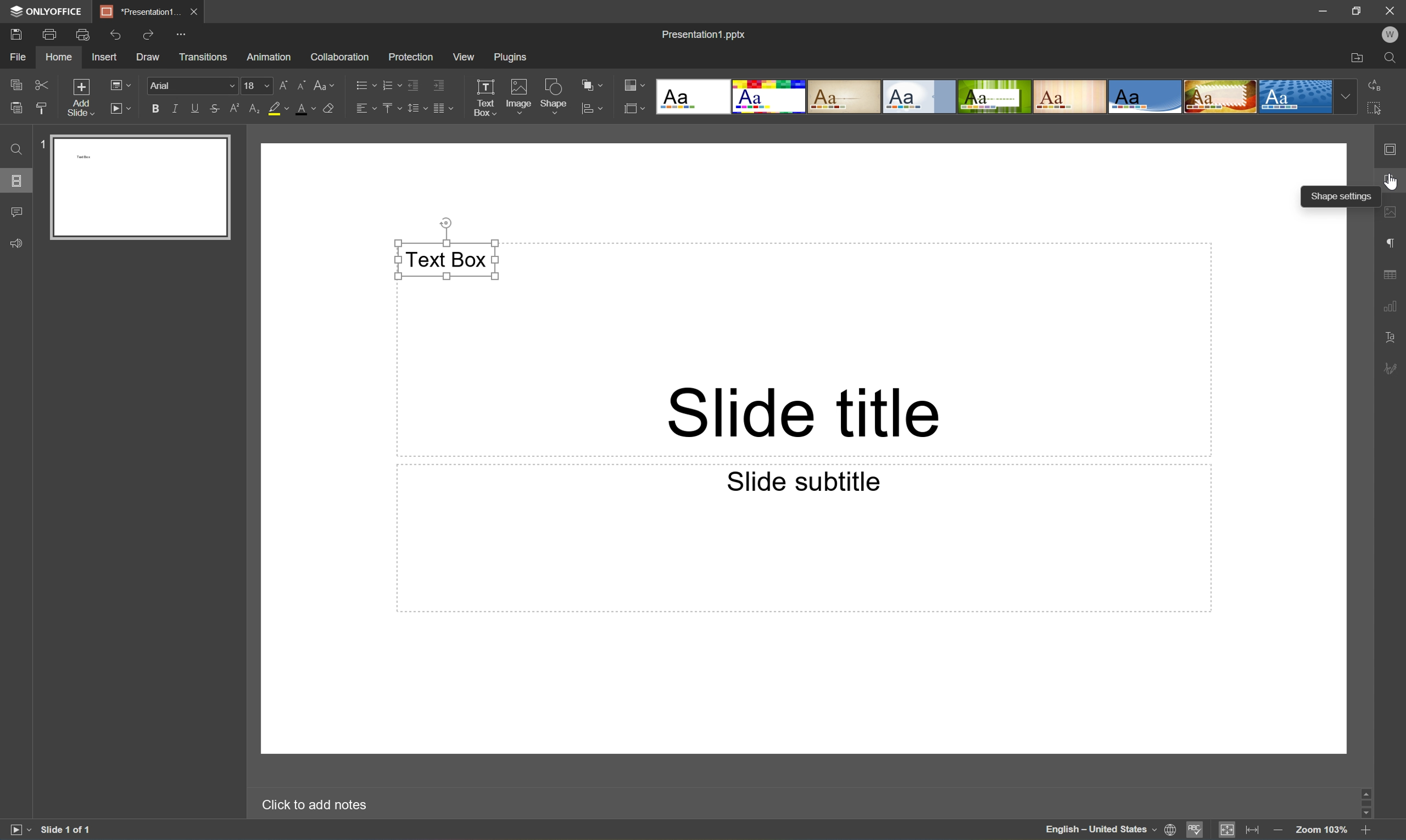 Image resolution: width=1406 pixels, height=840 pixels. I want to click on Shape, so click(553, 96).